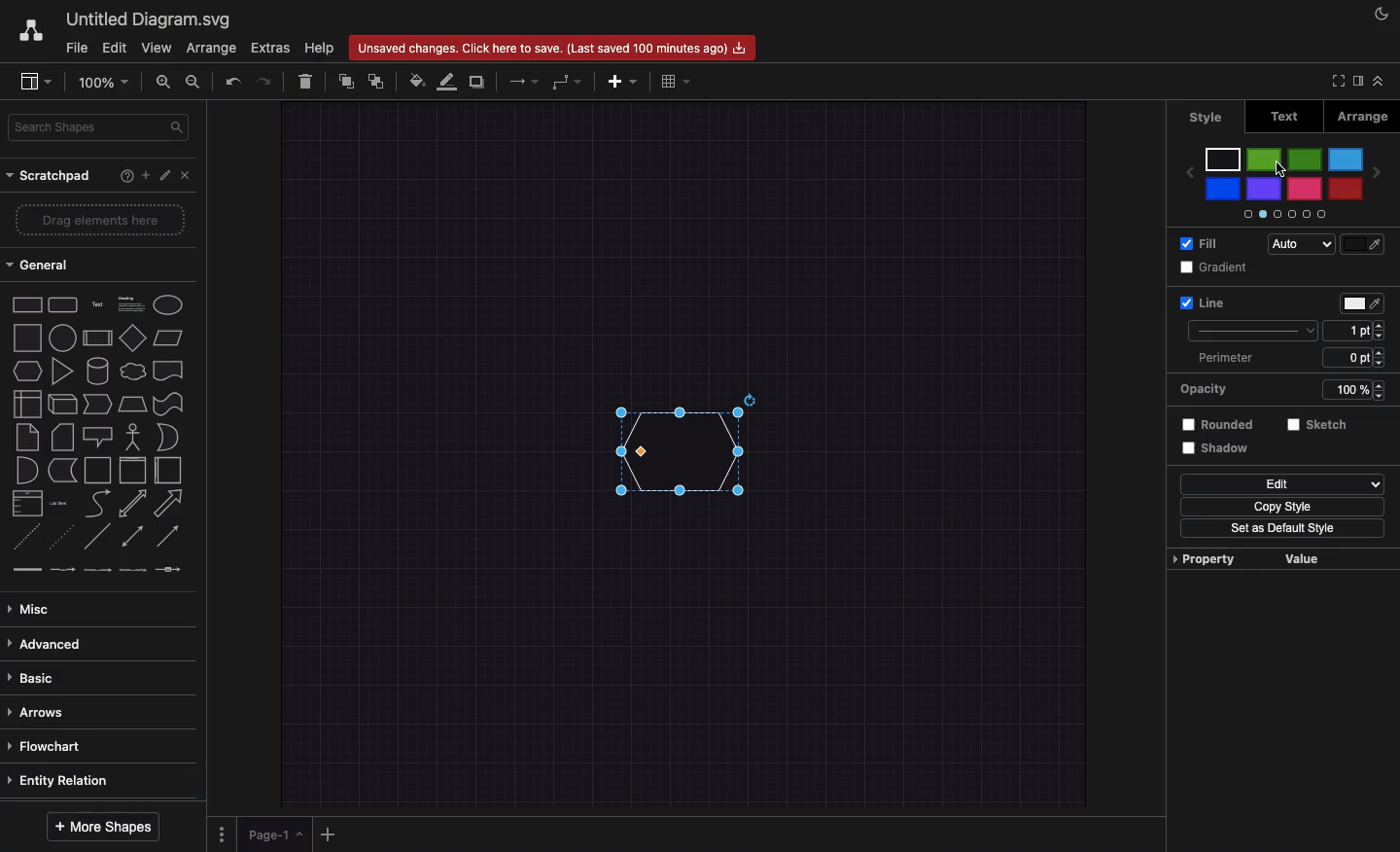 The height and width of the screenshot is (852, 1400). Describe the element at coordinates (415, 82) in the screenshot. I see `Fill ` at that location.